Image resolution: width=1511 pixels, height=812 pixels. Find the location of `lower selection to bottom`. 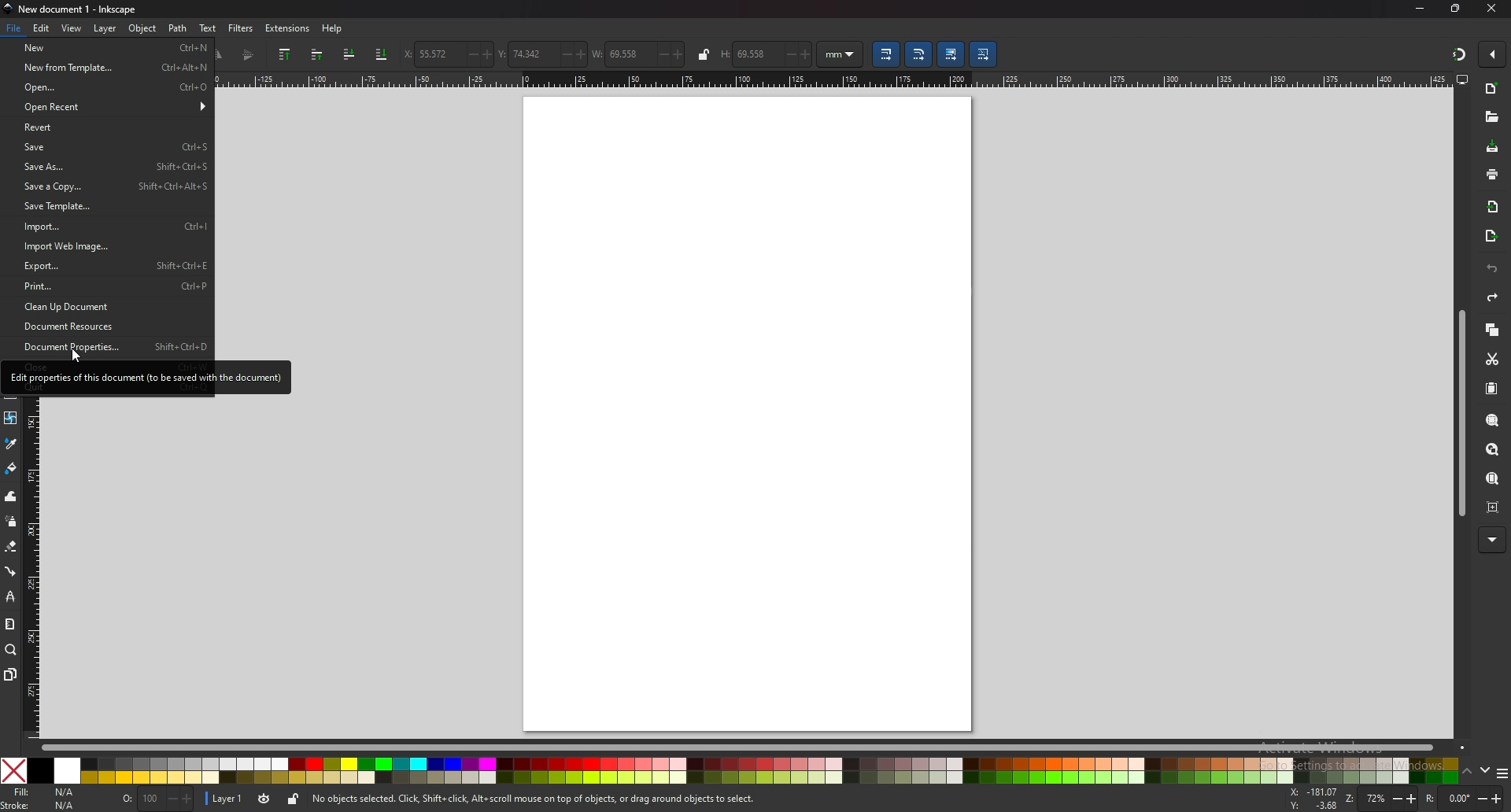

lower selection to bottom is located at coordinates (949, 55).